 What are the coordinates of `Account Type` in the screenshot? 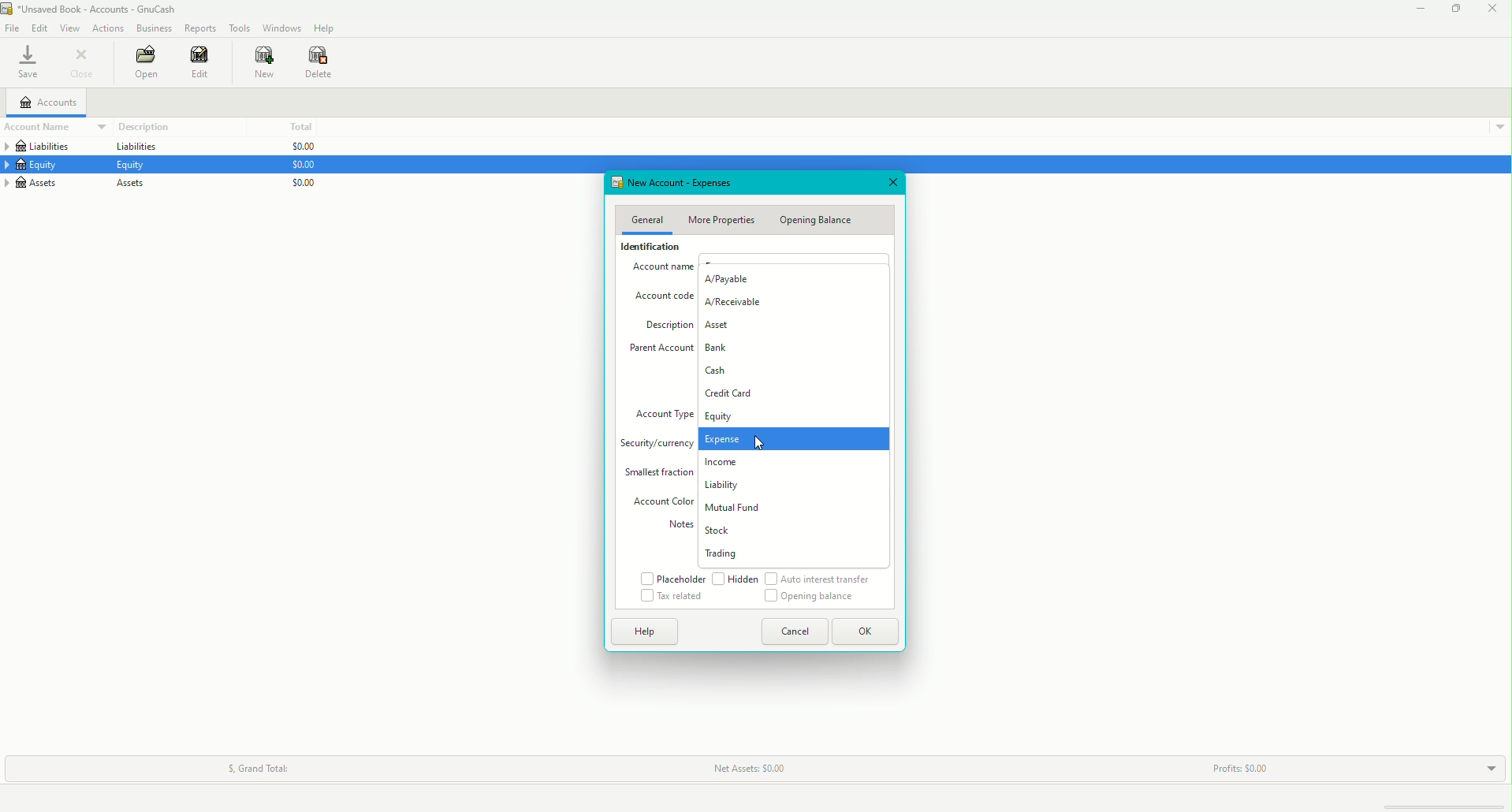 It's located at (663, 413).